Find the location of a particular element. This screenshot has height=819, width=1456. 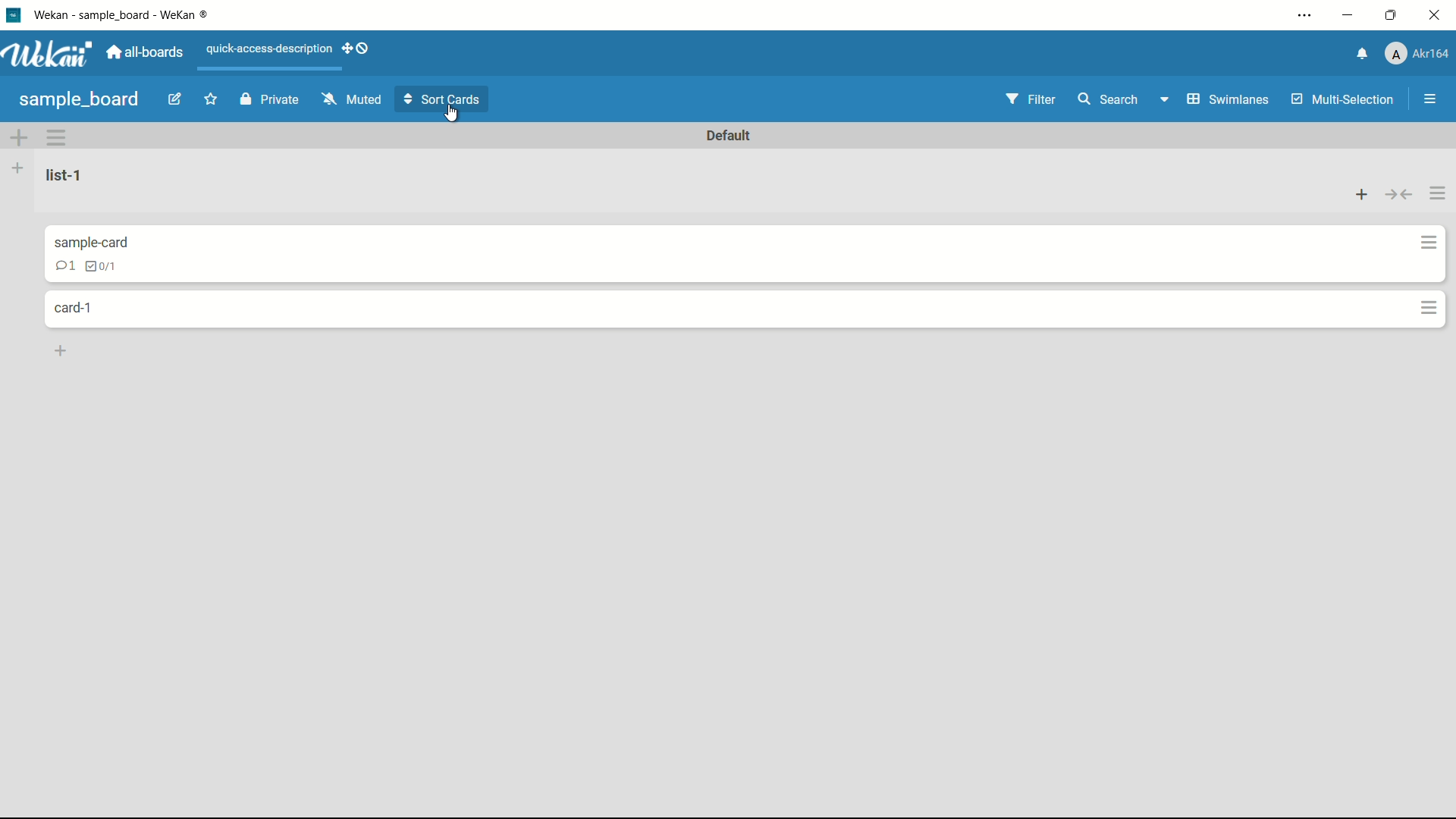

app logo is located at coordinates (47, 54).